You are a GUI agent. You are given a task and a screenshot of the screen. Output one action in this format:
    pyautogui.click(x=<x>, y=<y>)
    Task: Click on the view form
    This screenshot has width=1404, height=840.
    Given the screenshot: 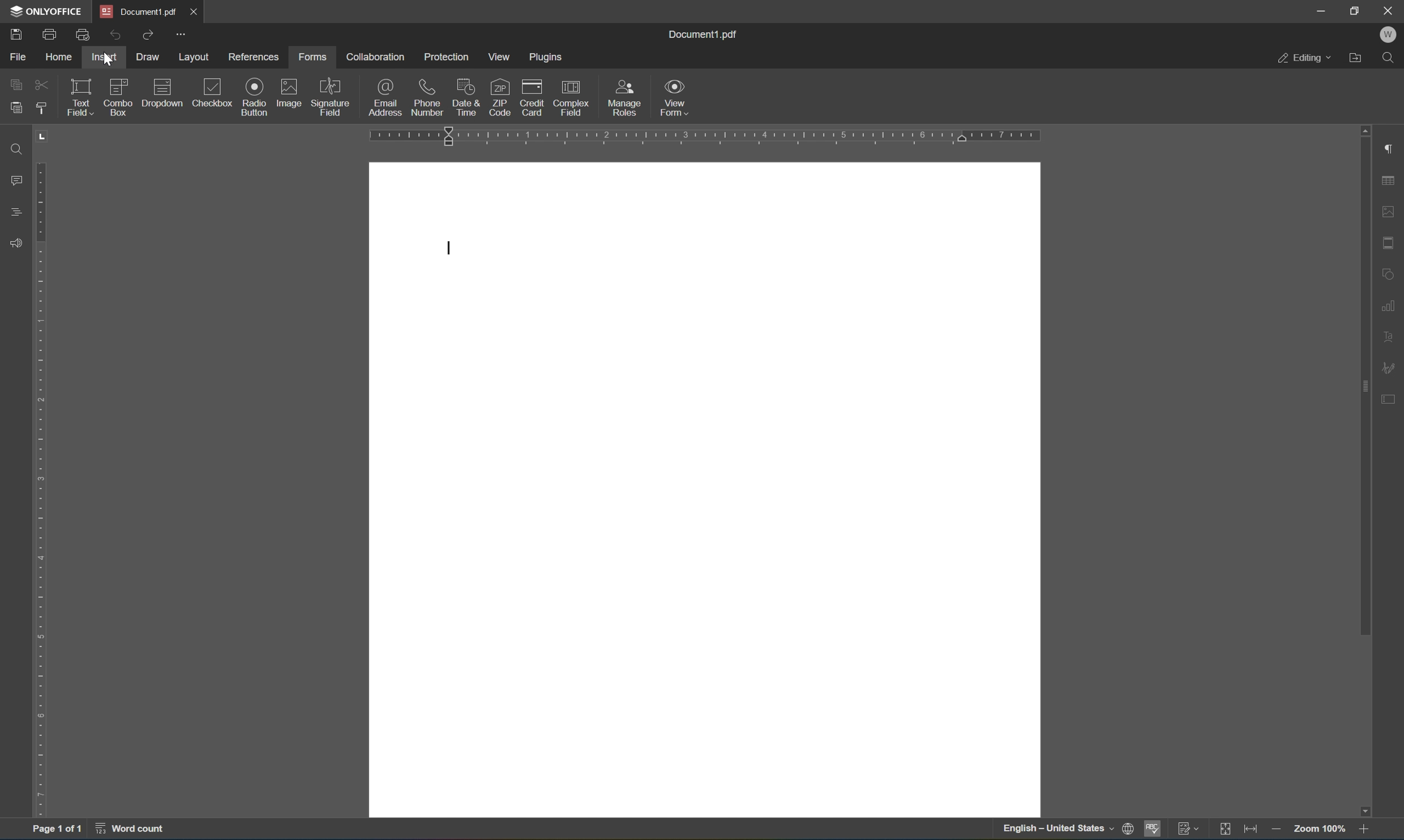 What is the action you would take?
    pyautogui.click(x=674, y=98)
    